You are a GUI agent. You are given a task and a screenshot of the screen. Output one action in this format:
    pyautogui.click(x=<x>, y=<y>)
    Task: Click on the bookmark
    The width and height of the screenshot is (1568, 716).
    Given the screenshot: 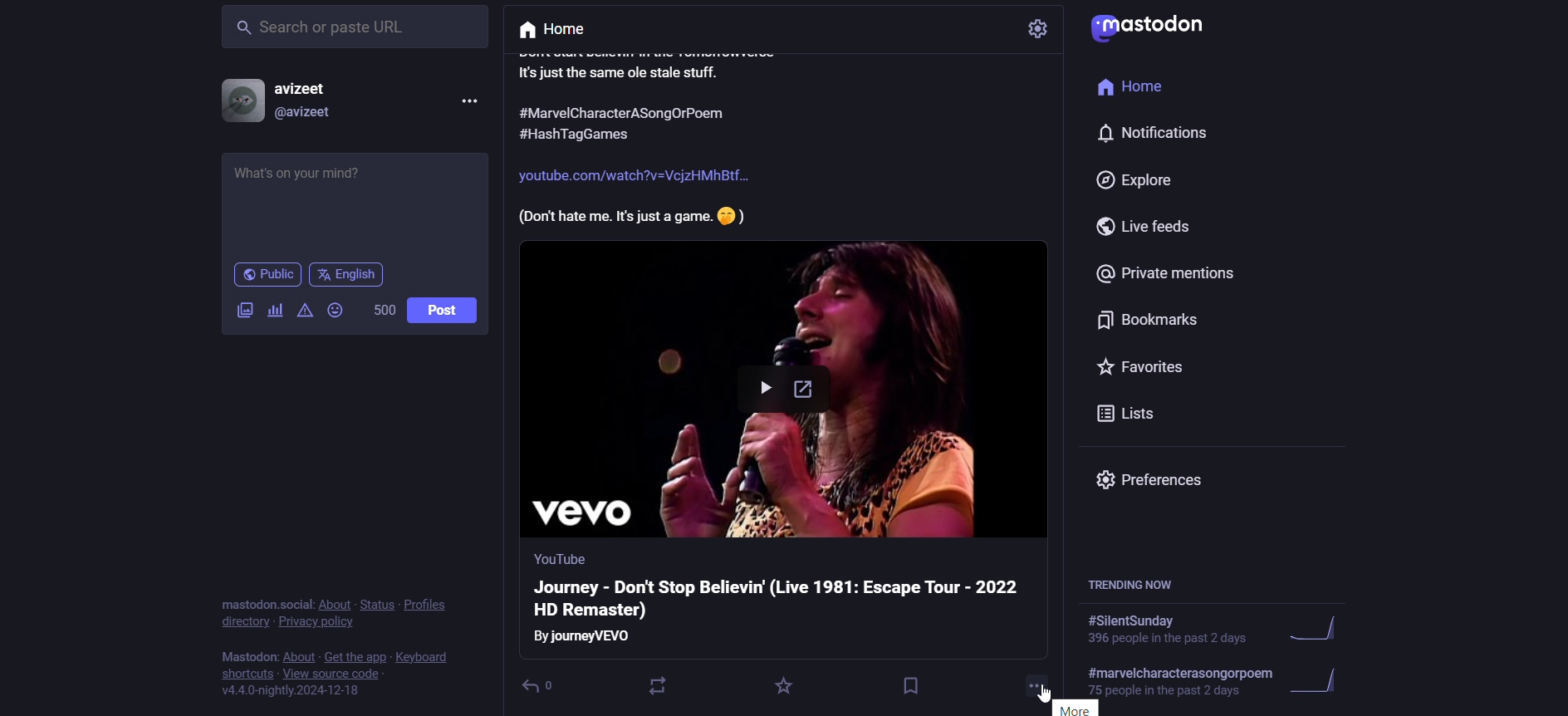 What is the action you would take?
    pyautogui.click(x=906, y=684)
    